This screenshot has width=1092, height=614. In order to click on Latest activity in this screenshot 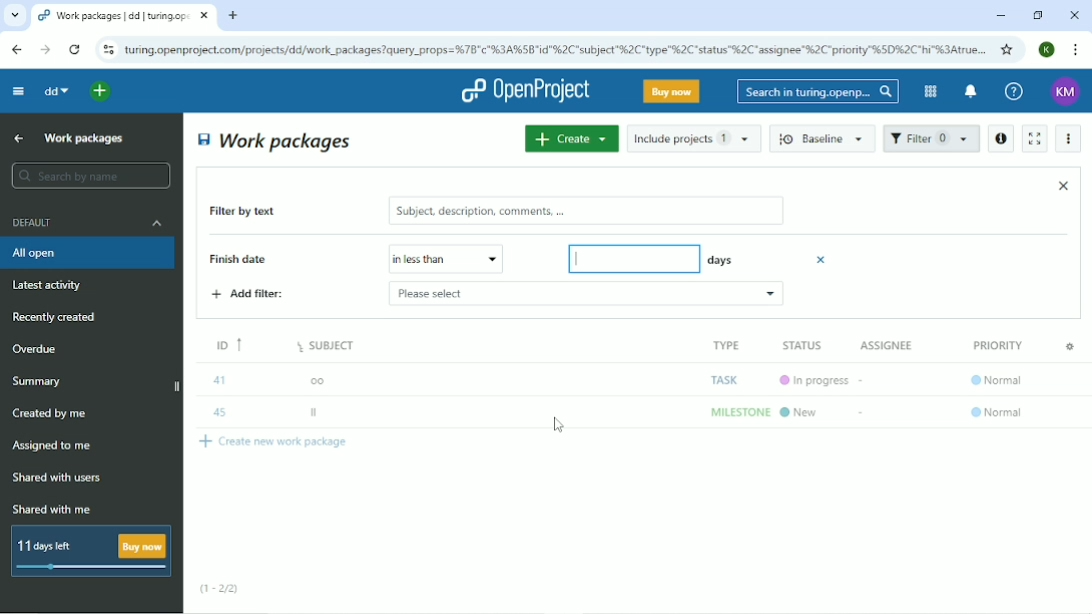, I will do `click(53, 287)`.